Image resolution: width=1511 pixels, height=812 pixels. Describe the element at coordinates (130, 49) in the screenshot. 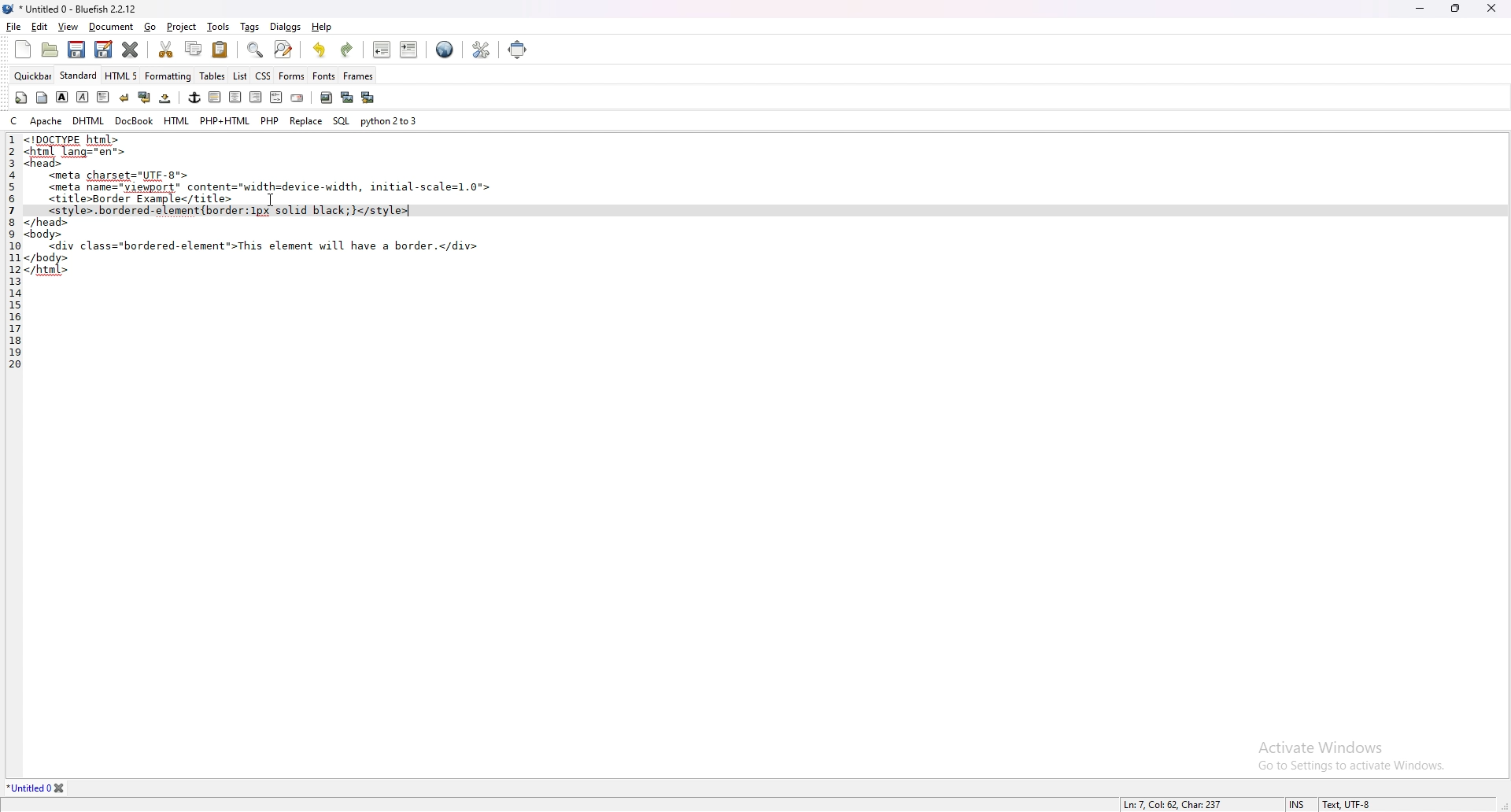

I see `close current file` at that location.